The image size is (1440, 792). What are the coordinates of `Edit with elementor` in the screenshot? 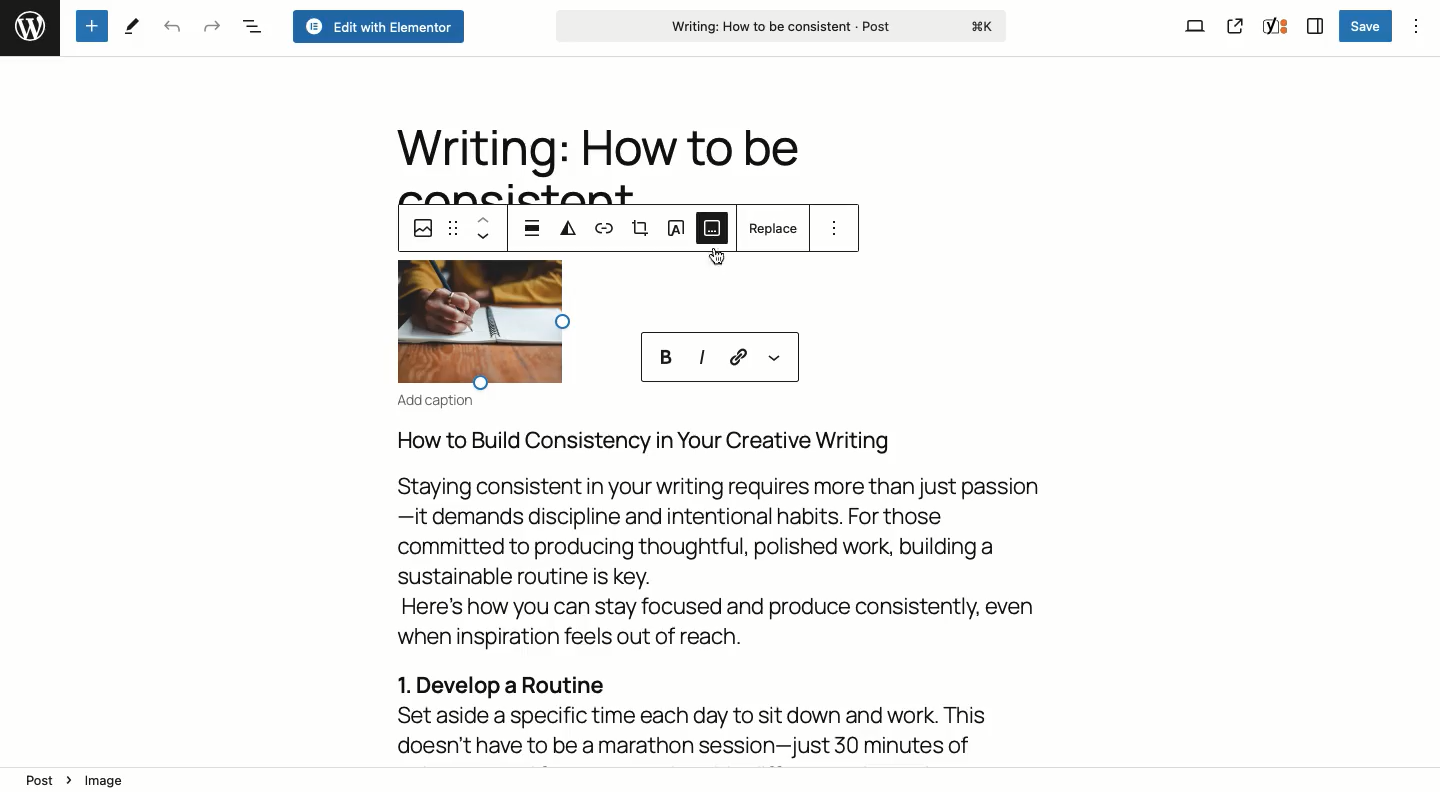 It's located at (377, 26).